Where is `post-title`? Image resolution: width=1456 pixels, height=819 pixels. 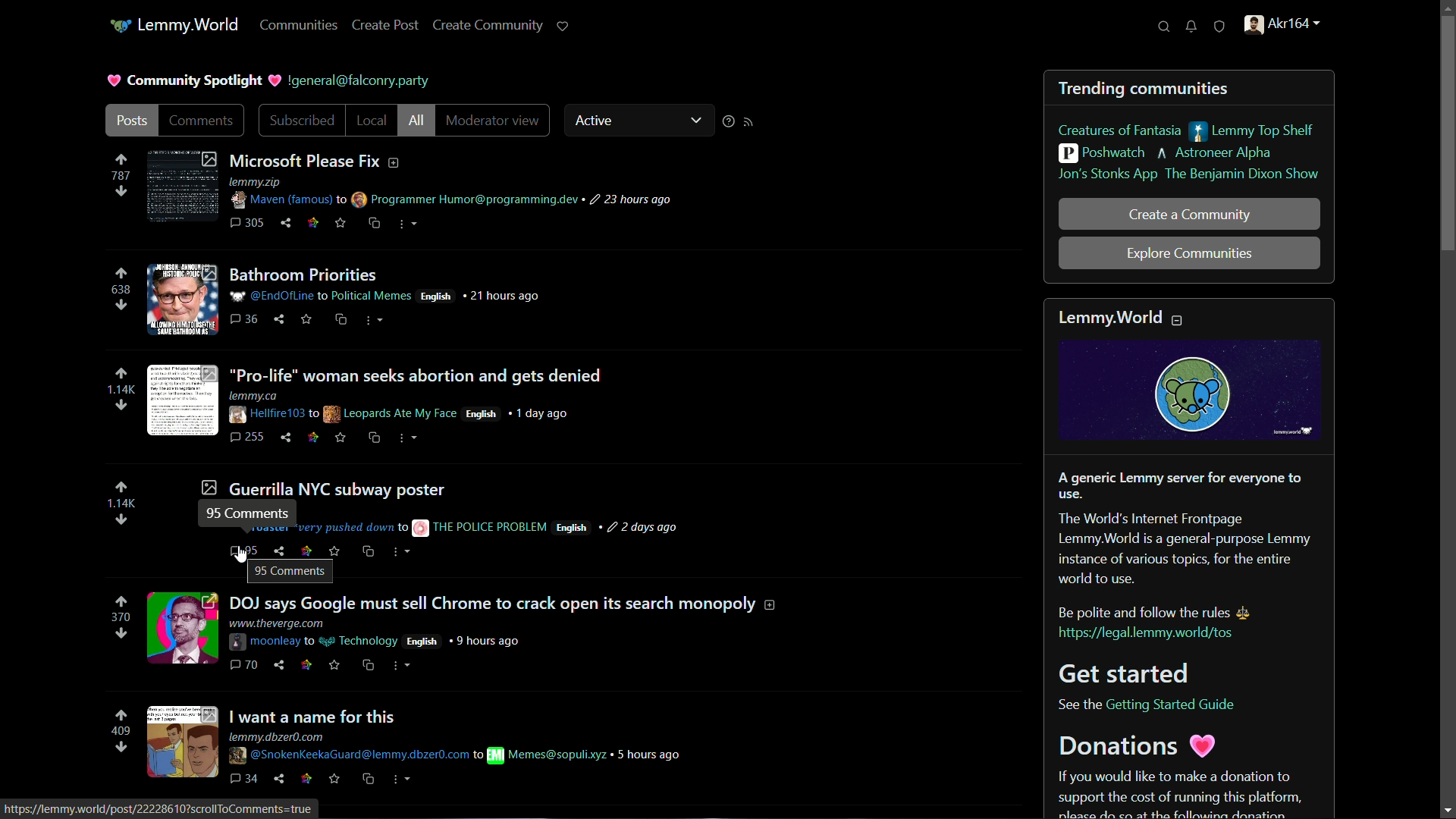 post-title is located at coordinates (322, 488).